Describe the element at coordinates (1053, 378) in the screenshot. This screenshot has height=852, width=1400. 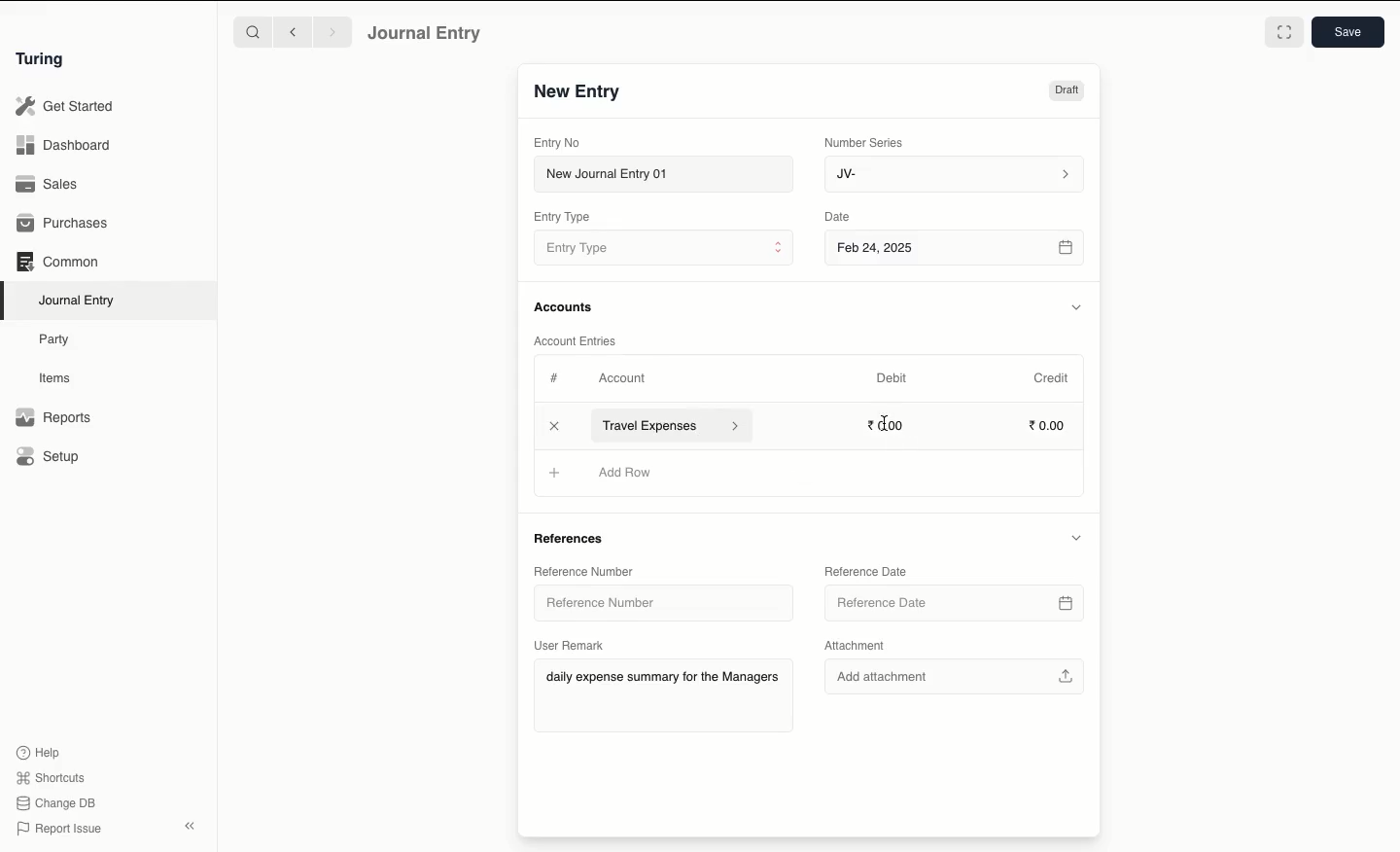
I see `Credit` at that location.